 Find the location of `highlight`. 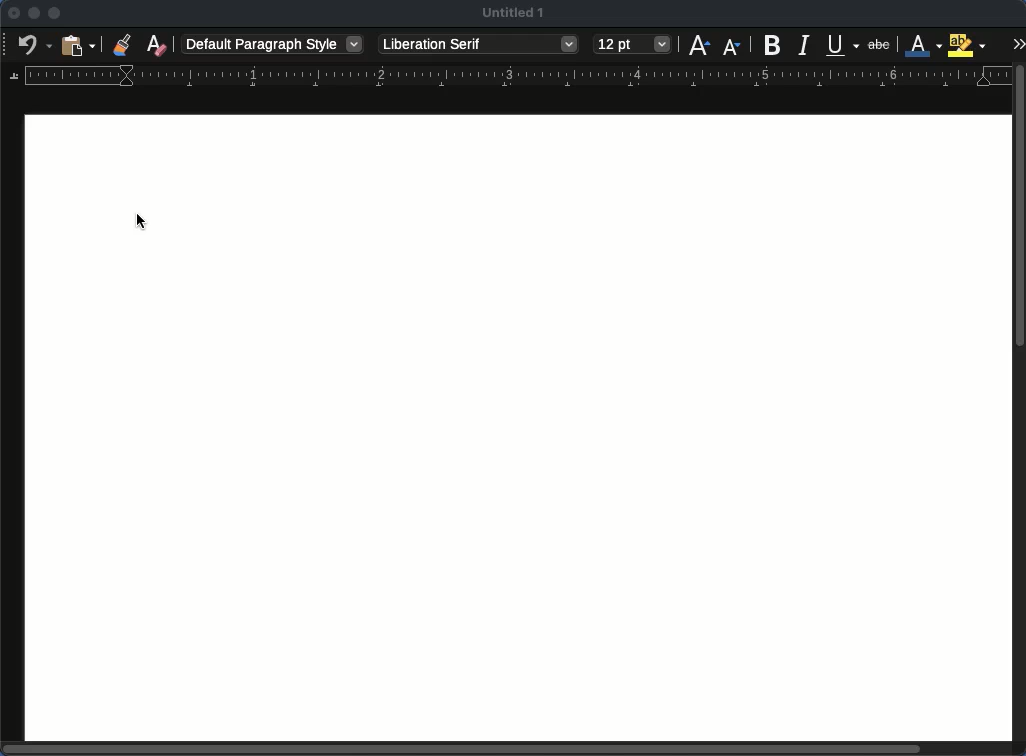

highlight is located at coordinates (966, 45).